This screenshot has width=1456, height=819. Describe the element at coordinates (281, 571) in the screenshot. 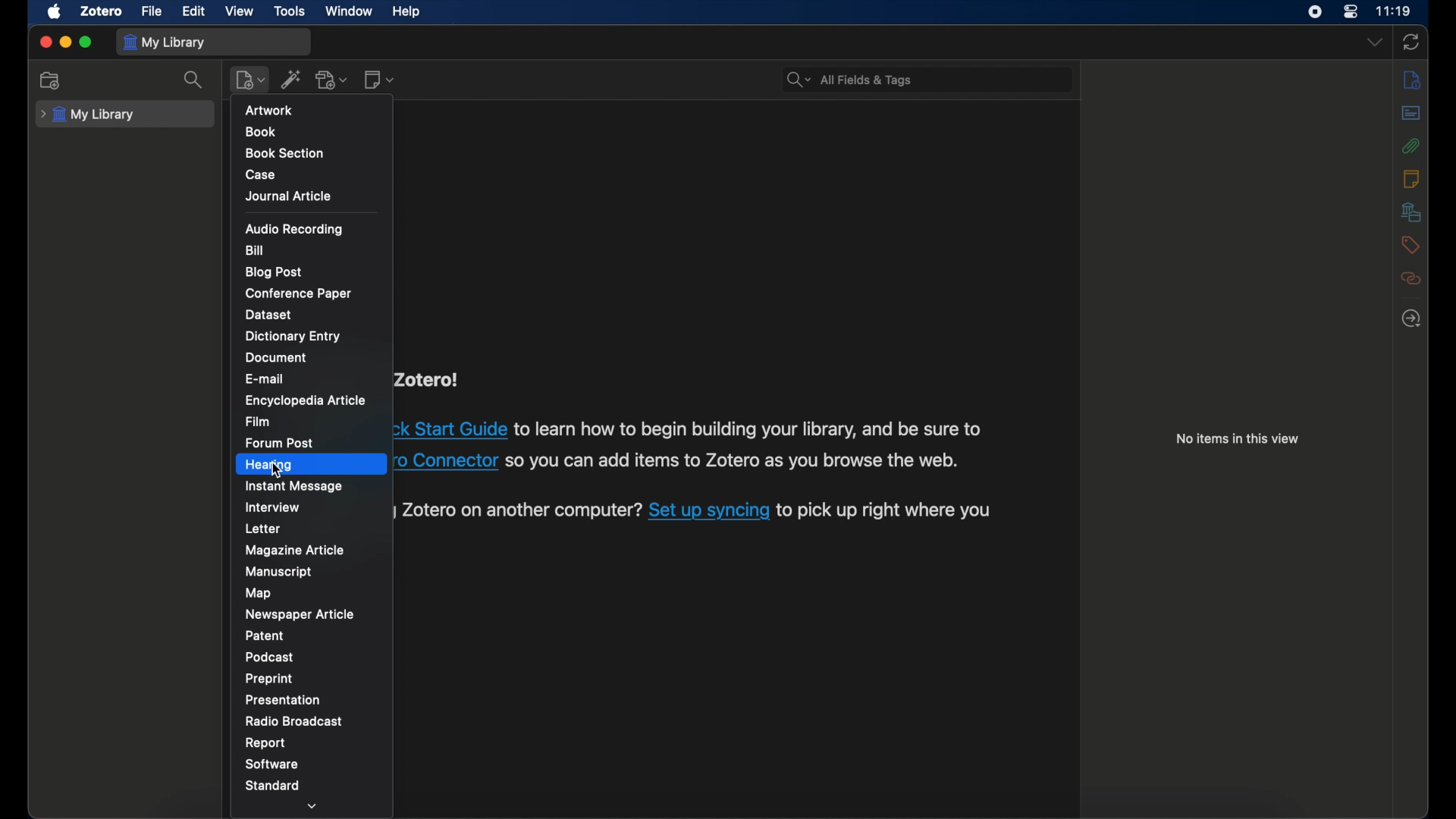

I see `manuscript` at that location.